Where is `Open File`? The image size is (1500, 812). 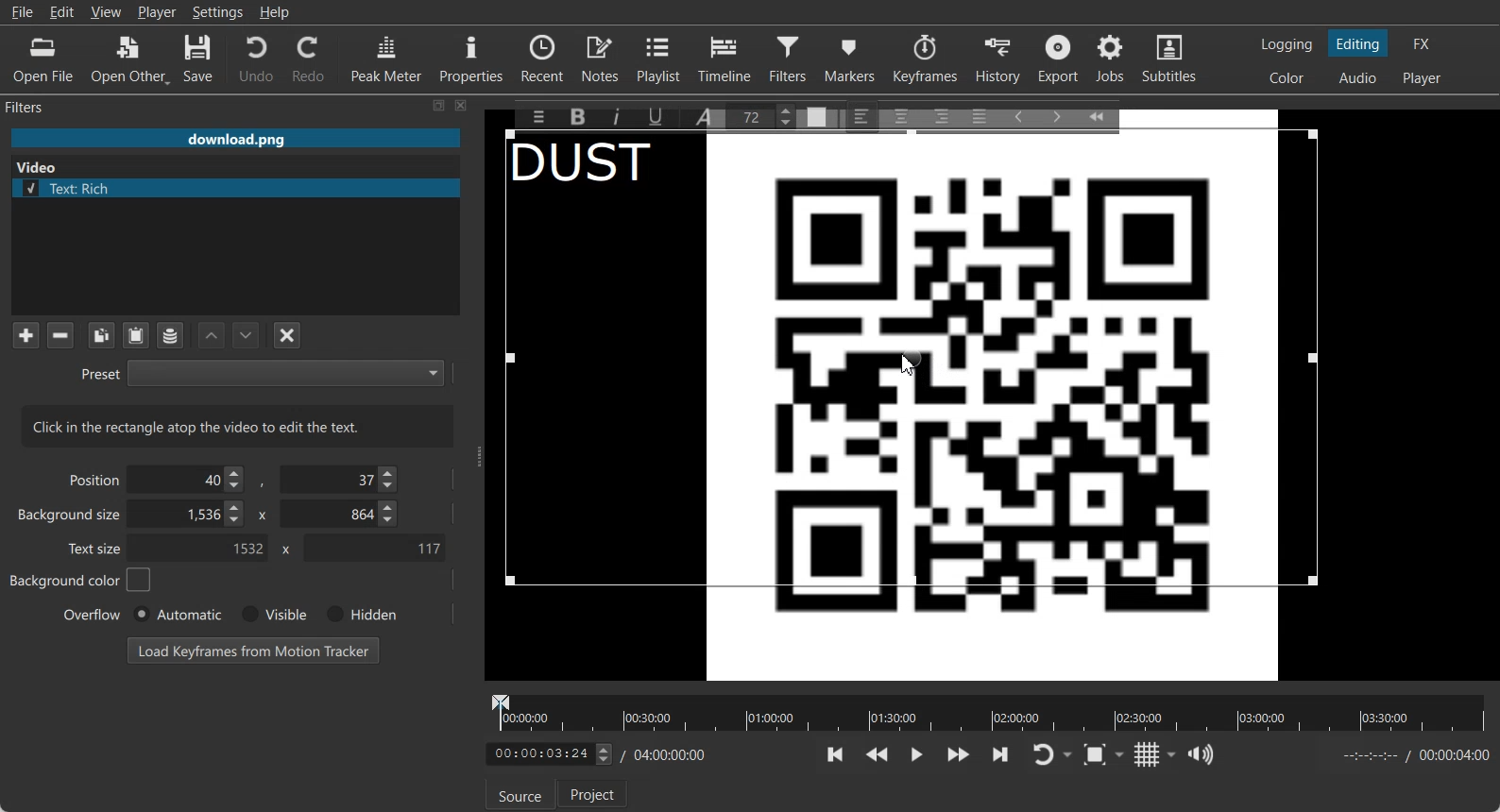
Open File is located at coordinates (43, 60).